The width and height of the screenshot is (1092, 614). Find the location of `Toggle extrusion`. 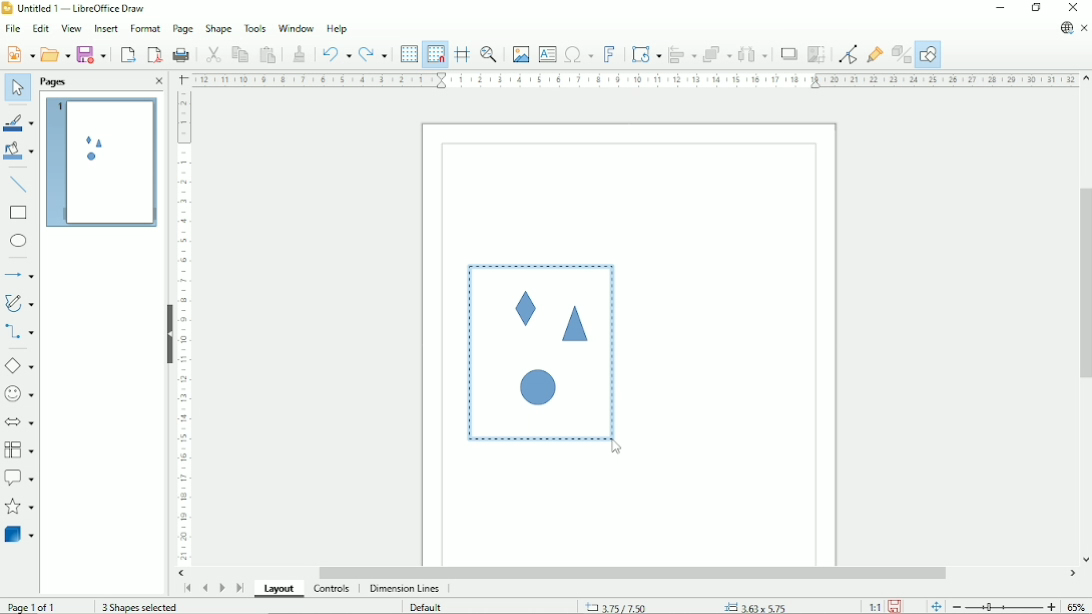

Toggle extrusion is located at coordinates (901, 55).